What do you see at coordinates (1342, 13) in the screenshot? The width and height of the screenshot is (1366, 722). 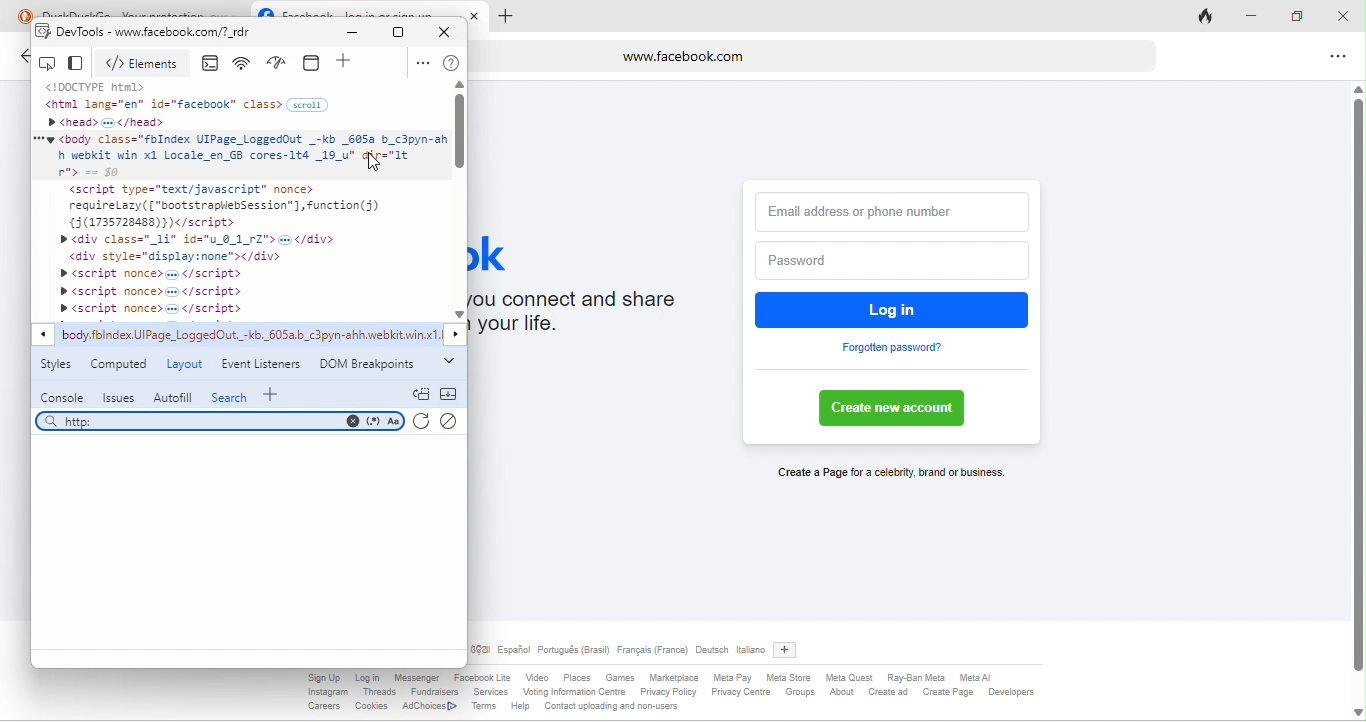 I see `close` at bounding box center [1342, 13].